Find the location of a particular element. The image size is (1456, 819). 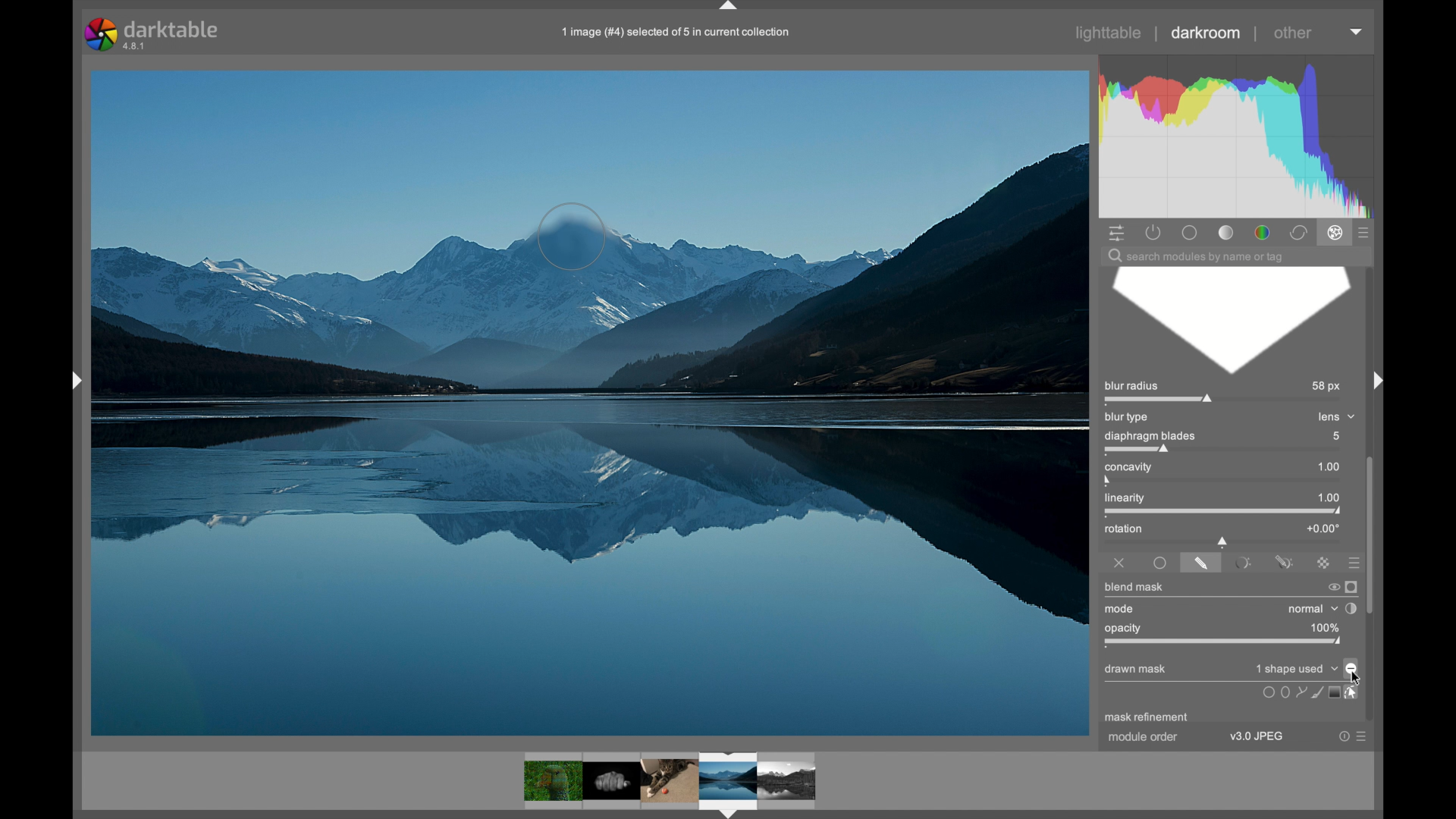

show active modules only is located at coordinates (1153, 232).